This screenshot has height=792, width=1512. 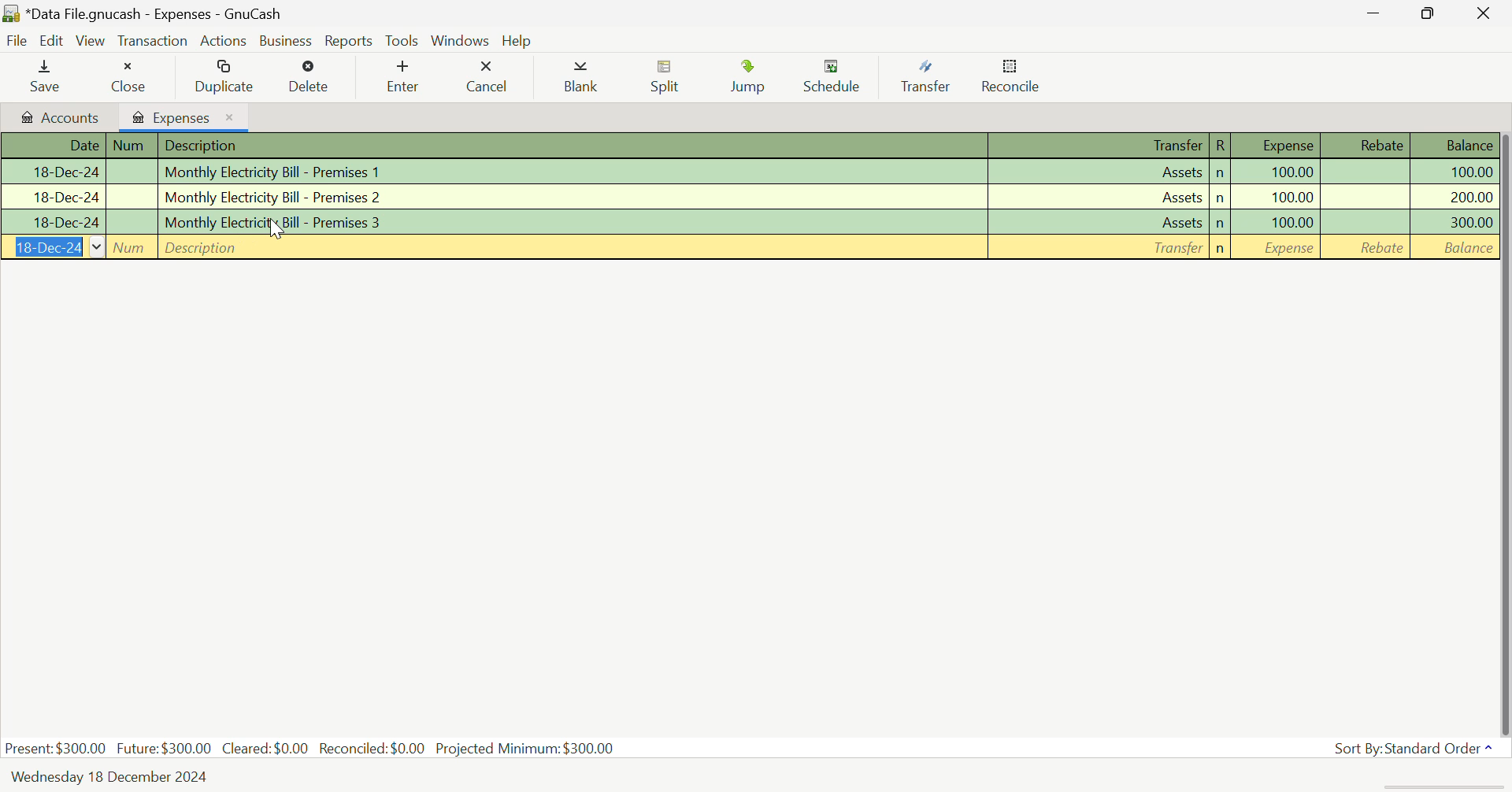 What do you see at coordinates (349, 41) in the screenshot?
I see `Reports` at bounding box center [349, 41].